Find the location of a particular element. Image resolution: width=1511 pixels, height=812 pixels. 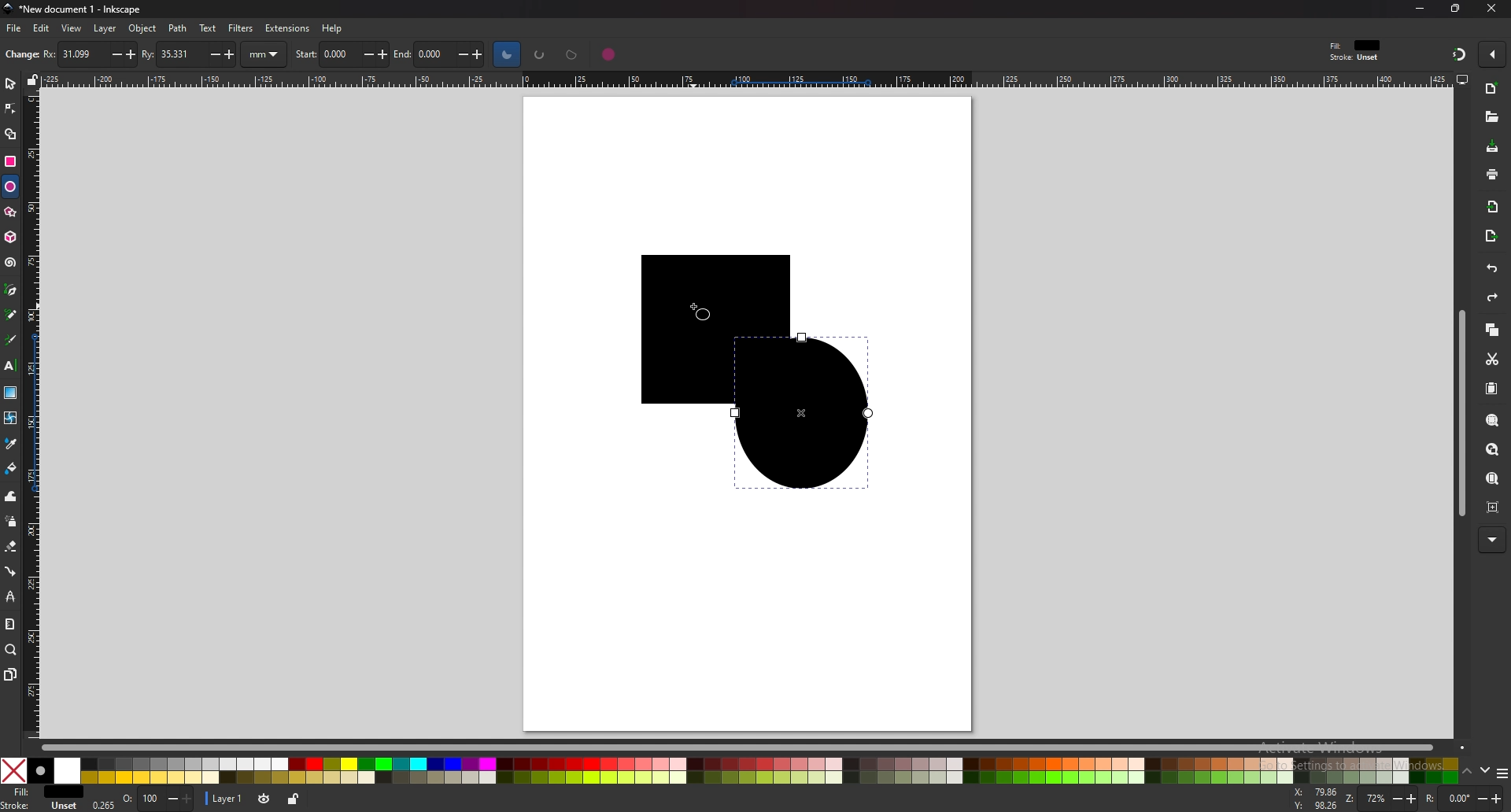

rotate is located at coordinates (1463, 799).